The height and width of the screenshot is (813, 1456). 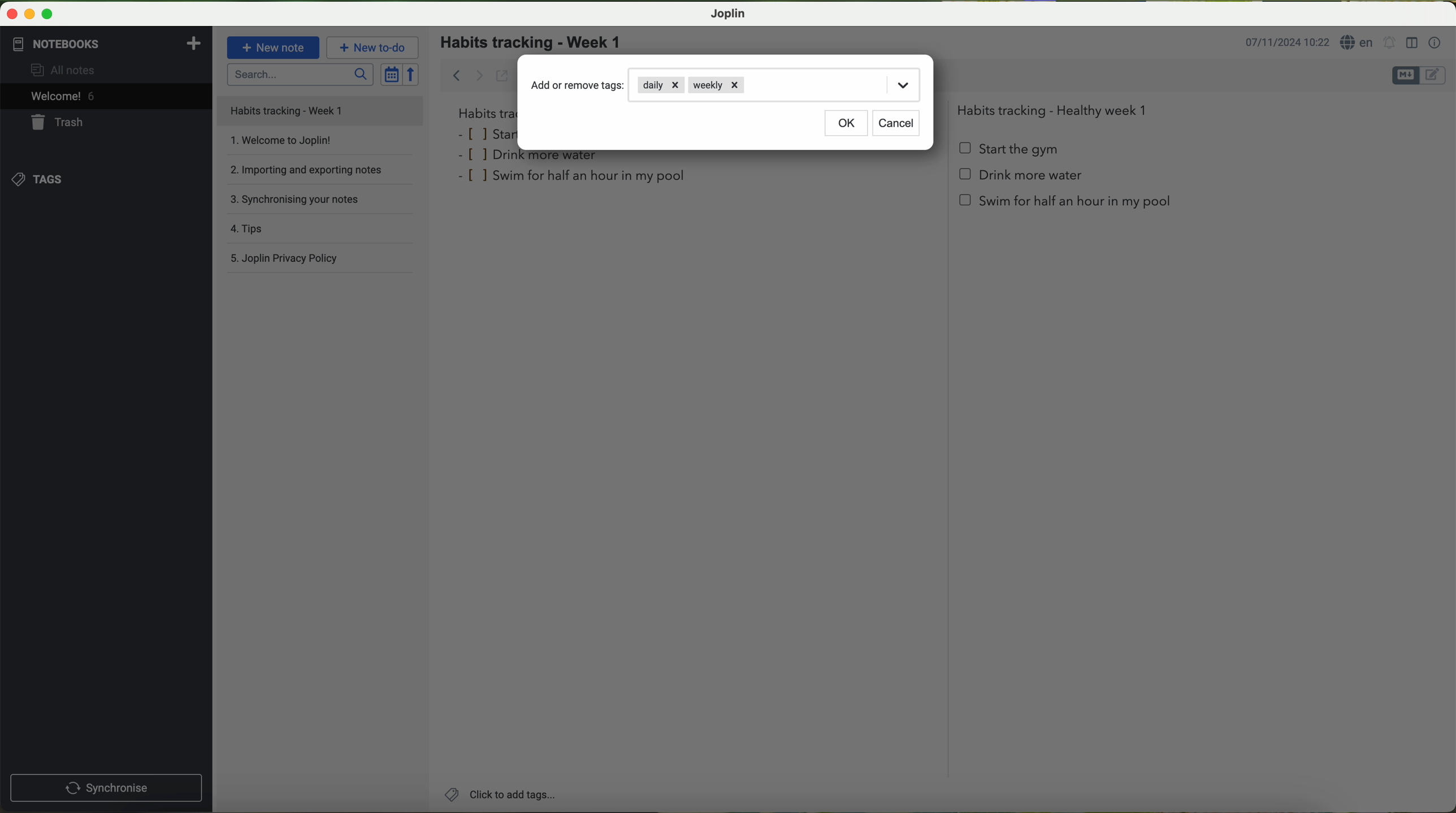 What do you see at coordinates (574, 178) in the screenshot?
I see `swim for half an hour in my pool` at bounding box center [574, 178].